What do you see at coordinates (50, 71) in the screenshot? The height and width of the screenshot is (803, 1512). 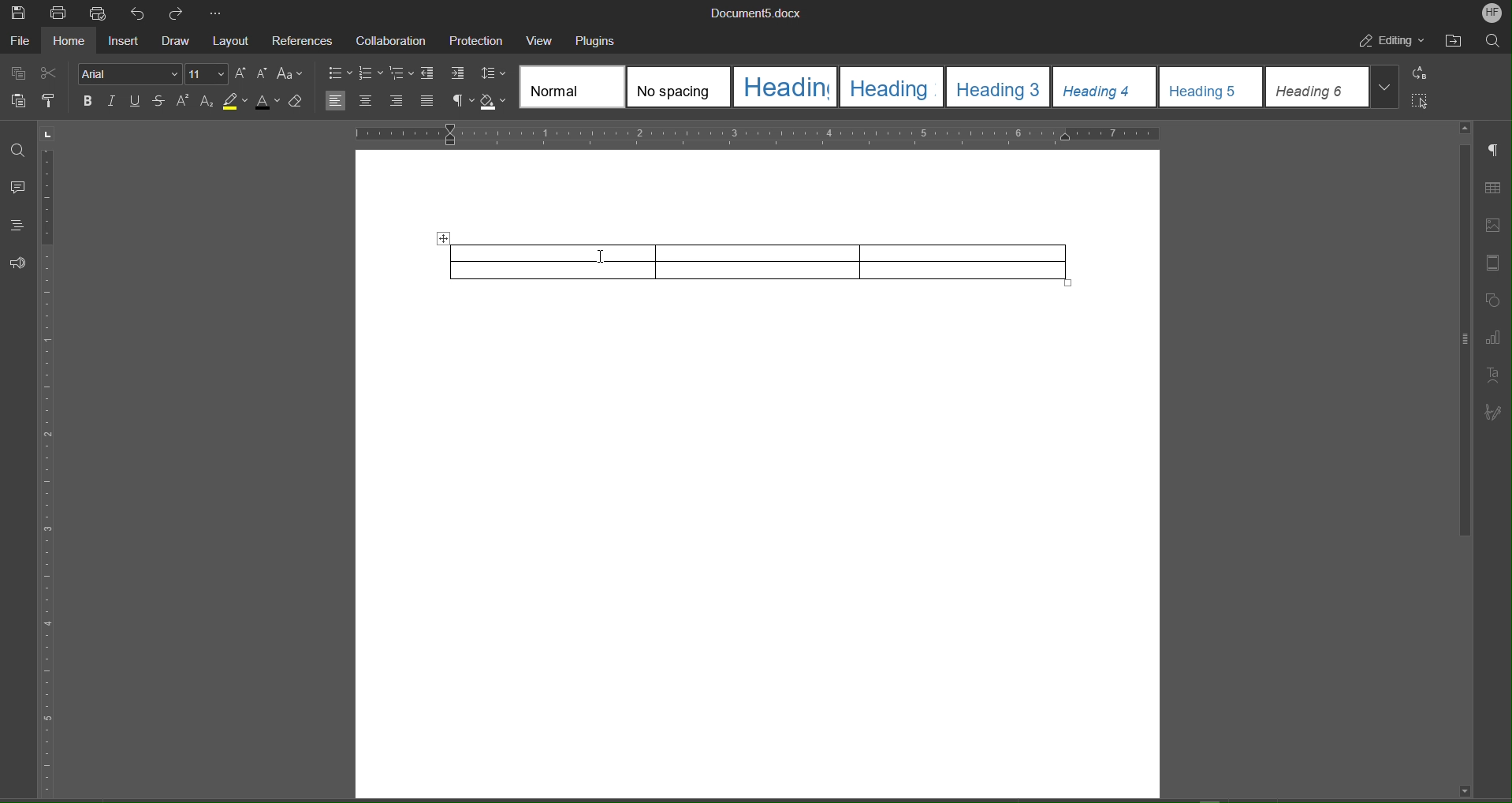 I see `Cut` at bounding box center [50, 71].